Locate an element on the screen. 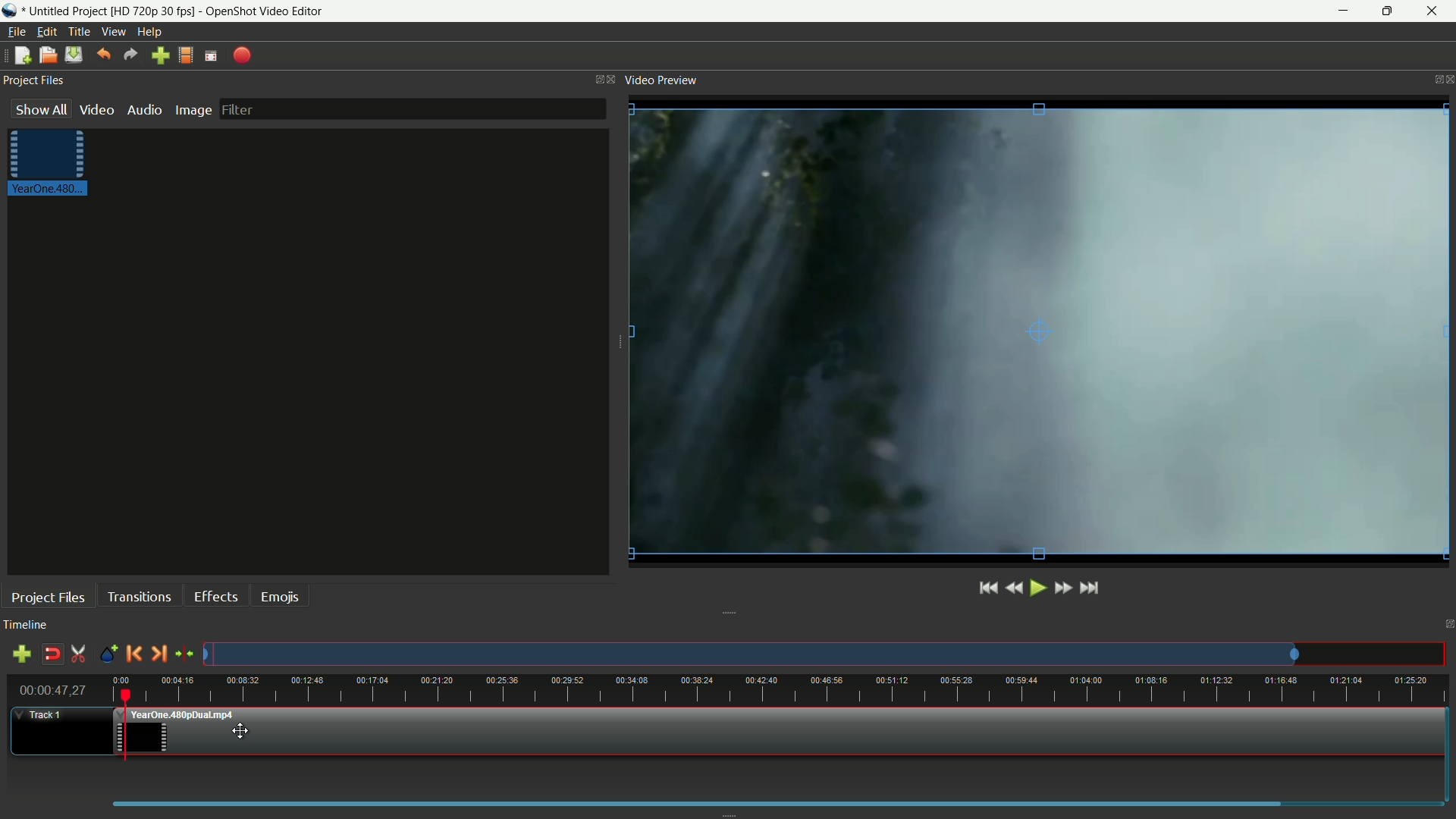 The image size is (1456, 819). timeline is located at coordinates (28, 626).